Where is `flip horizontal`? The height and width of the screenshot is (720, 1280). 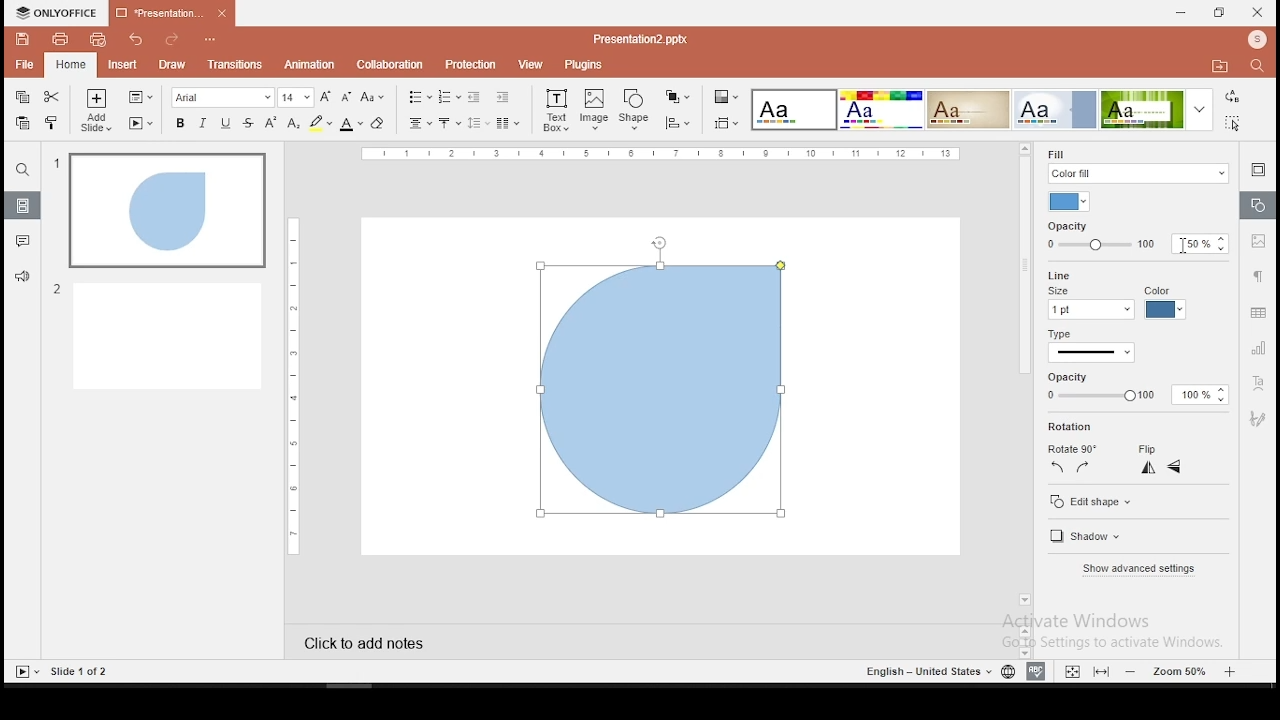
flip horizontal is located at coordinates (1174, 467).